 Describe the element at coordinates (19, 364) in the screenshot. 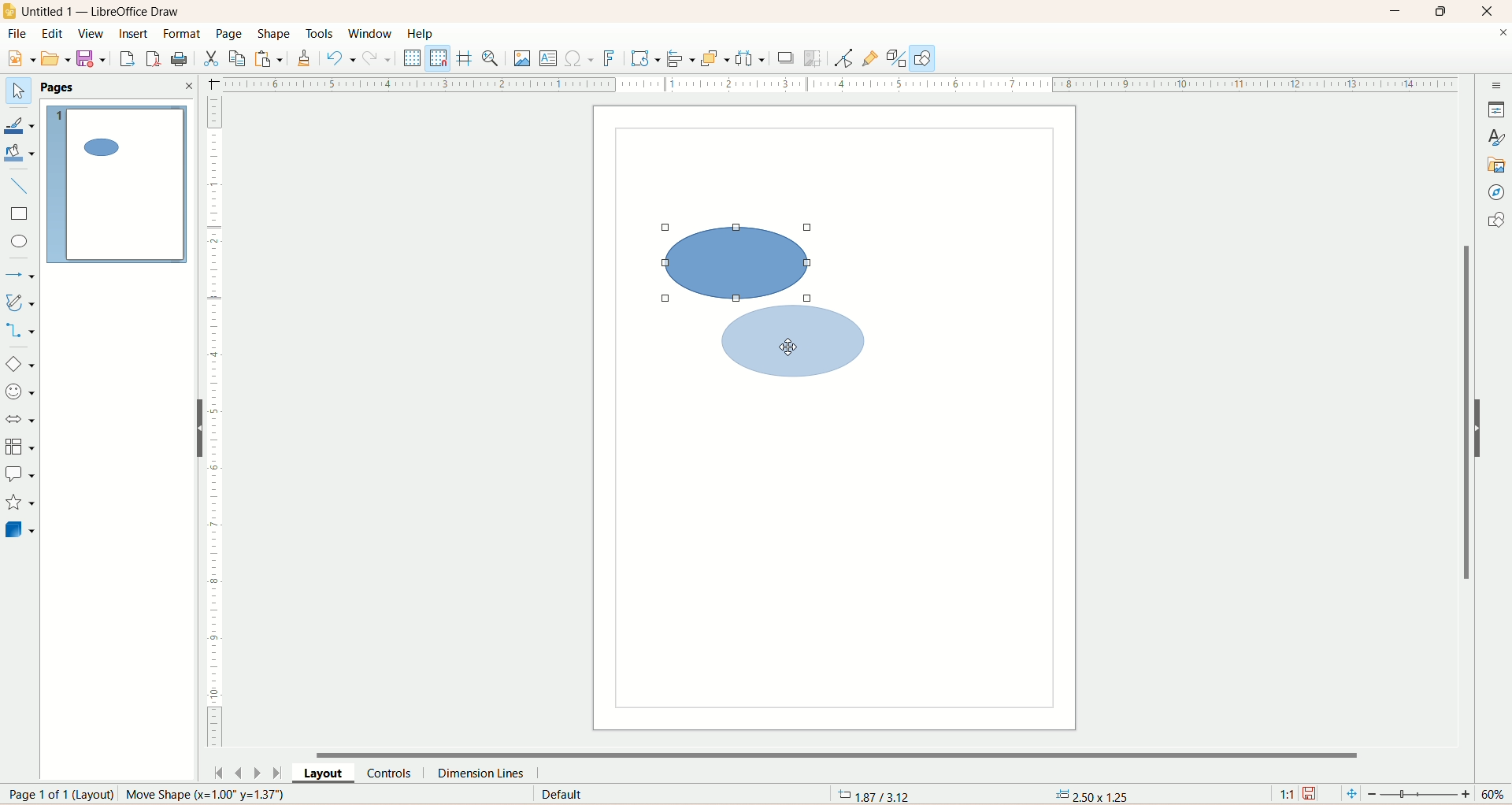

I see `basic shapes` at that location.